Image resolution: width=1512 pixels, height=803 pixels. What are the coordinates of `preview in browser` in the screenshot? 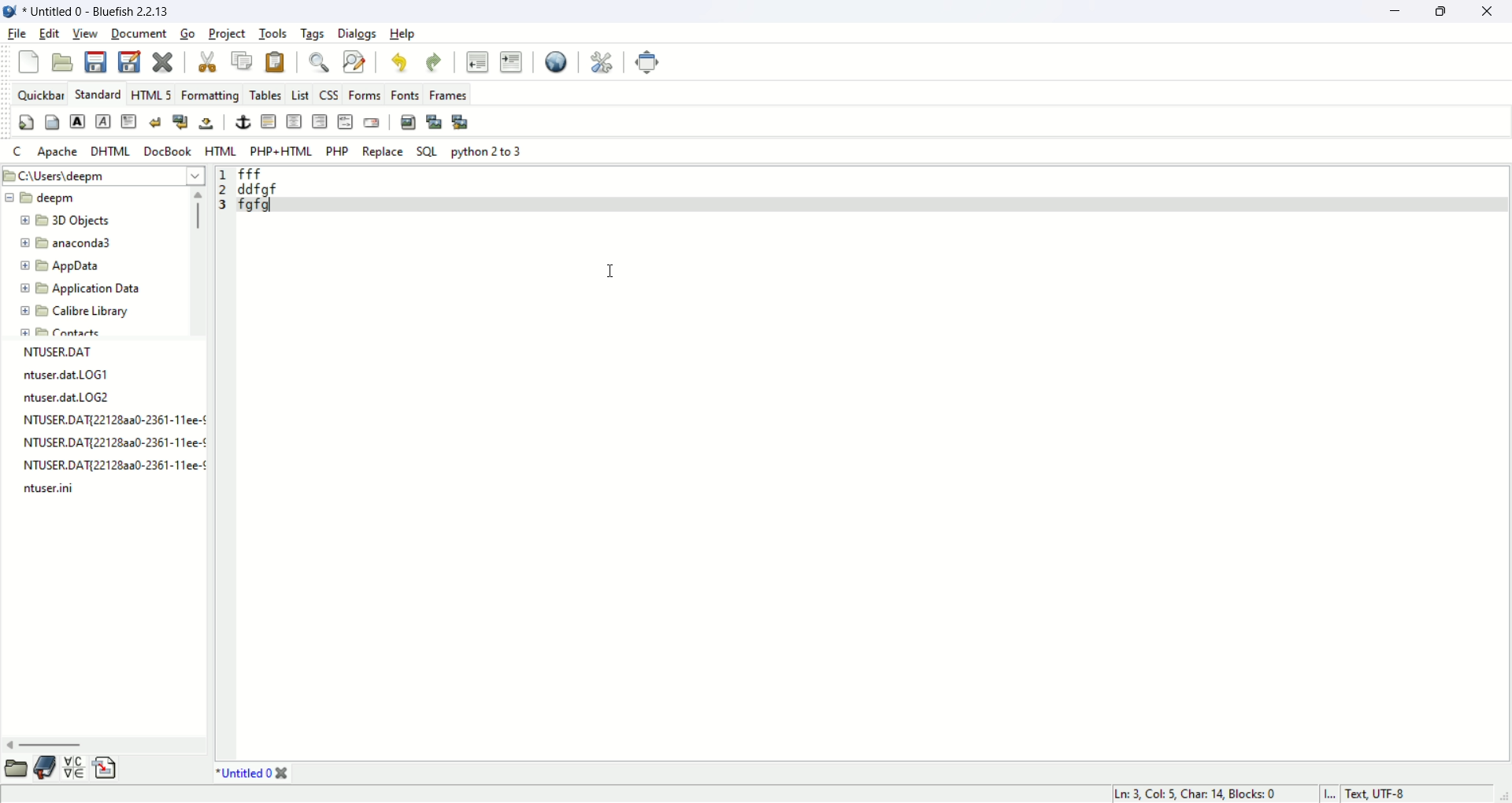 It's located at (558, 61).